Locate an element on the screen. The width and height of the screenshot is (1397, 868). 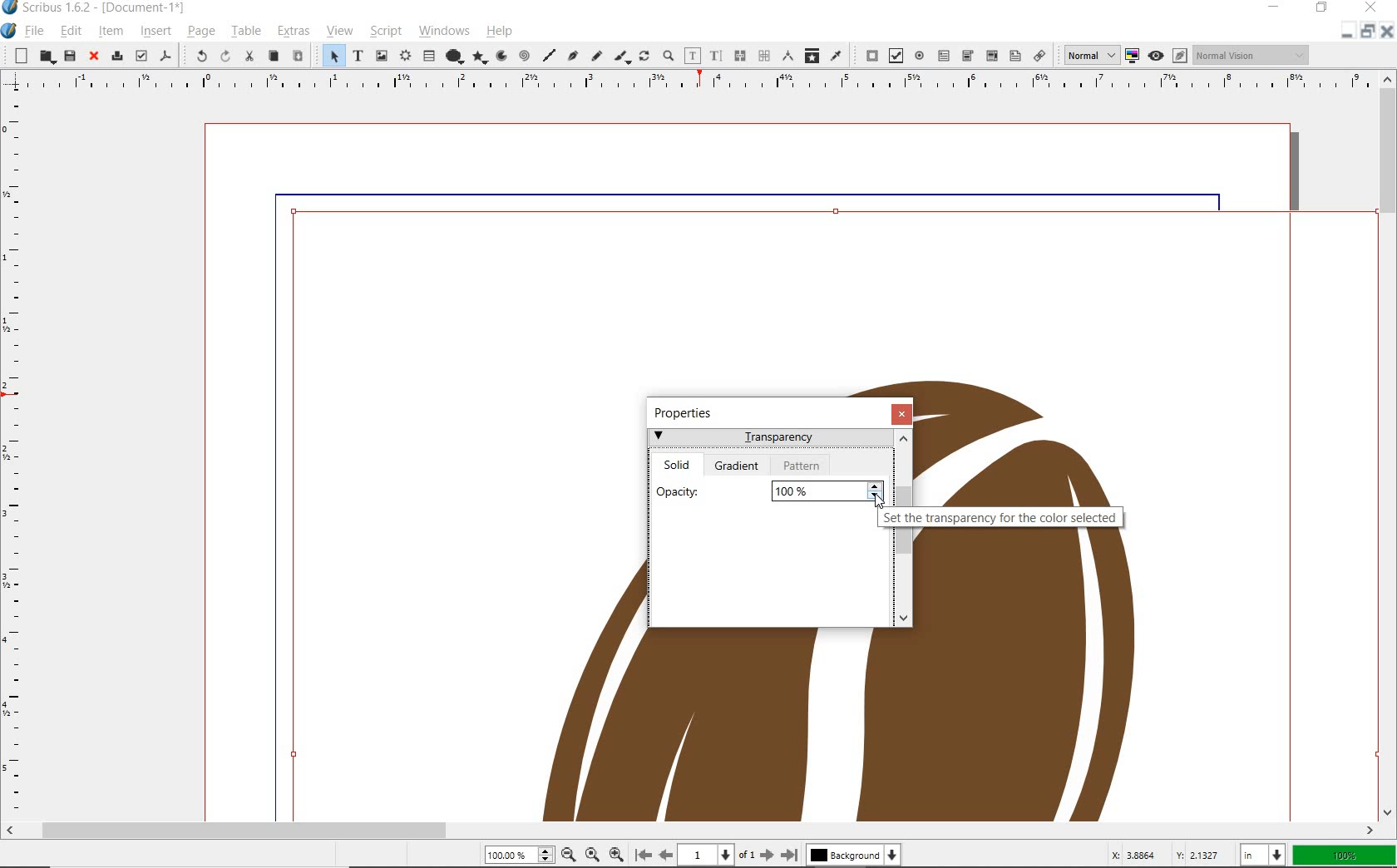
edit contents of frame is located at coordinates (694, 57).